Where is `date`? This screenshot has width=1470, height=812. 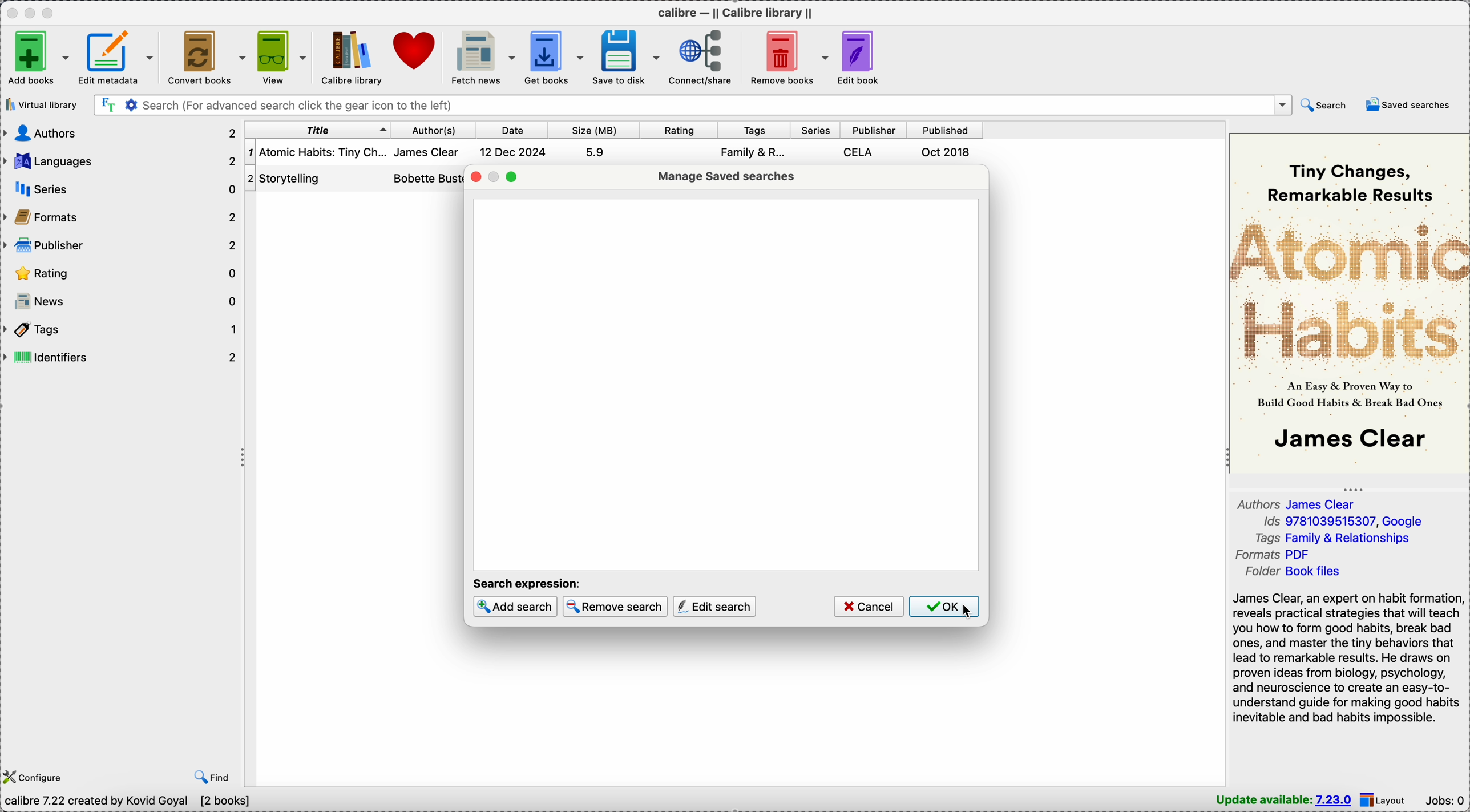 date is located at coordinates (509, 130).